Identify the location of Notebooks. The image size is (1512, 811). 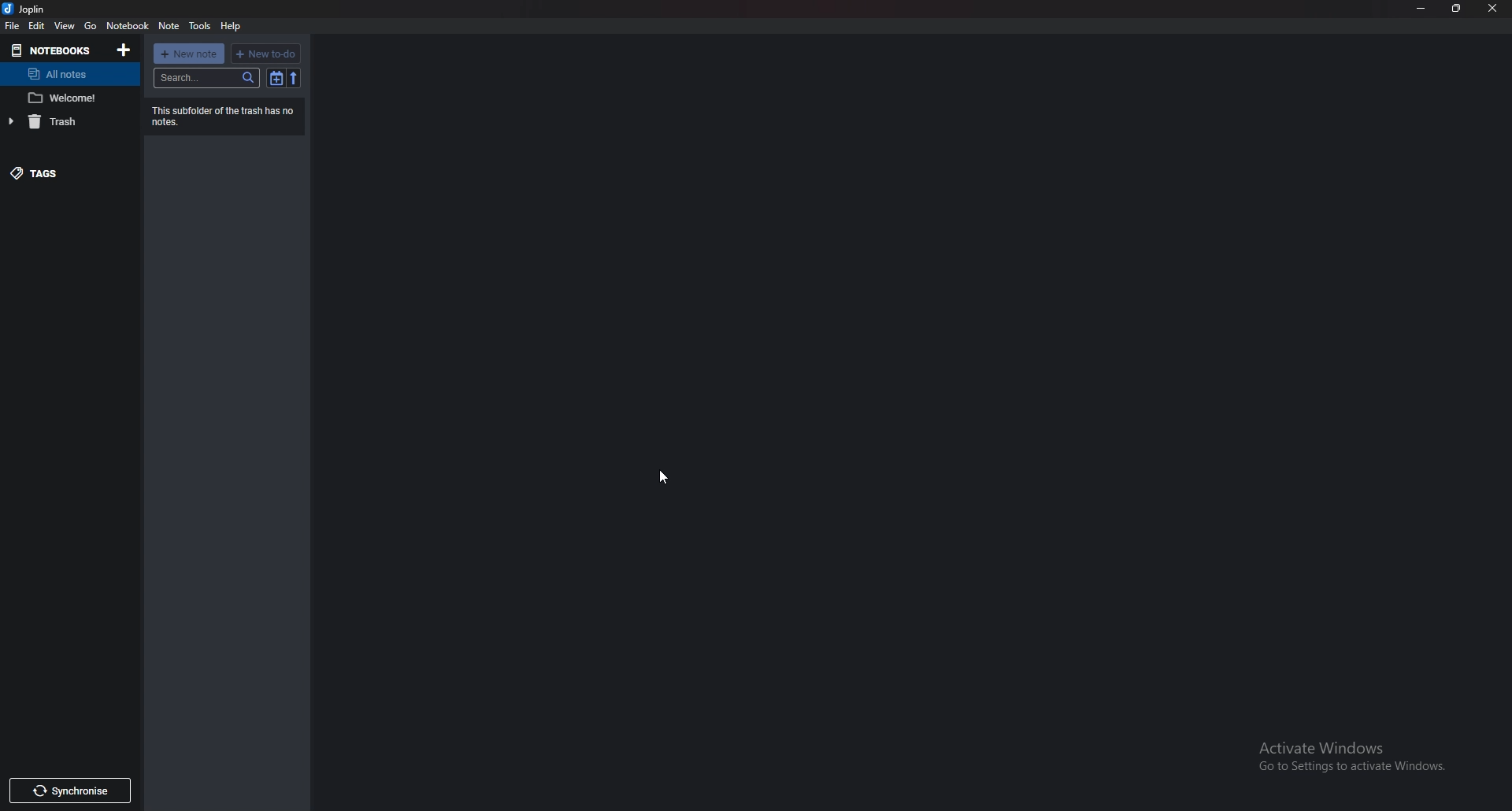
(53, 50).